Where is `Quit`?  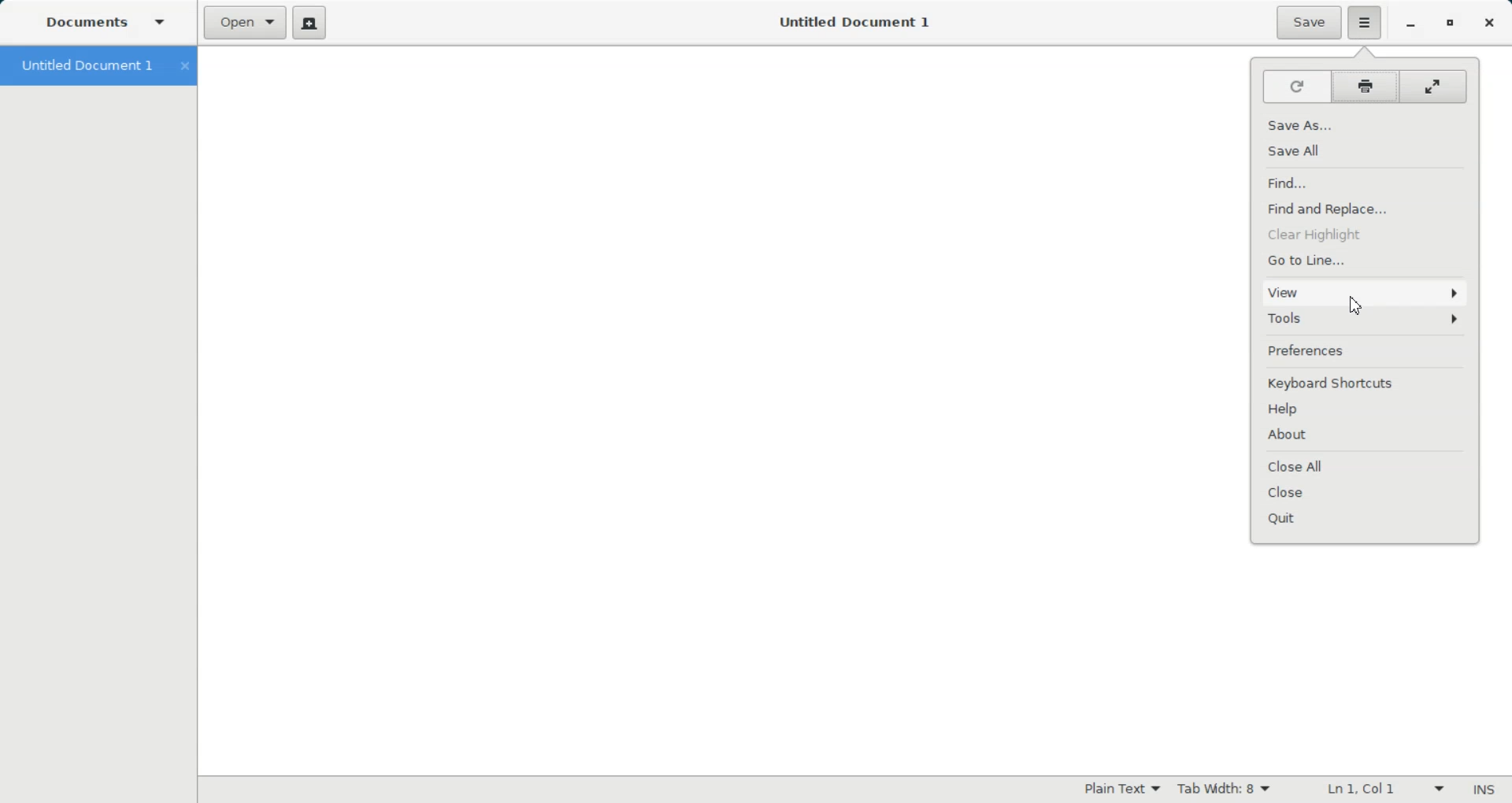
Quit is located at coordinates (1366, 520).